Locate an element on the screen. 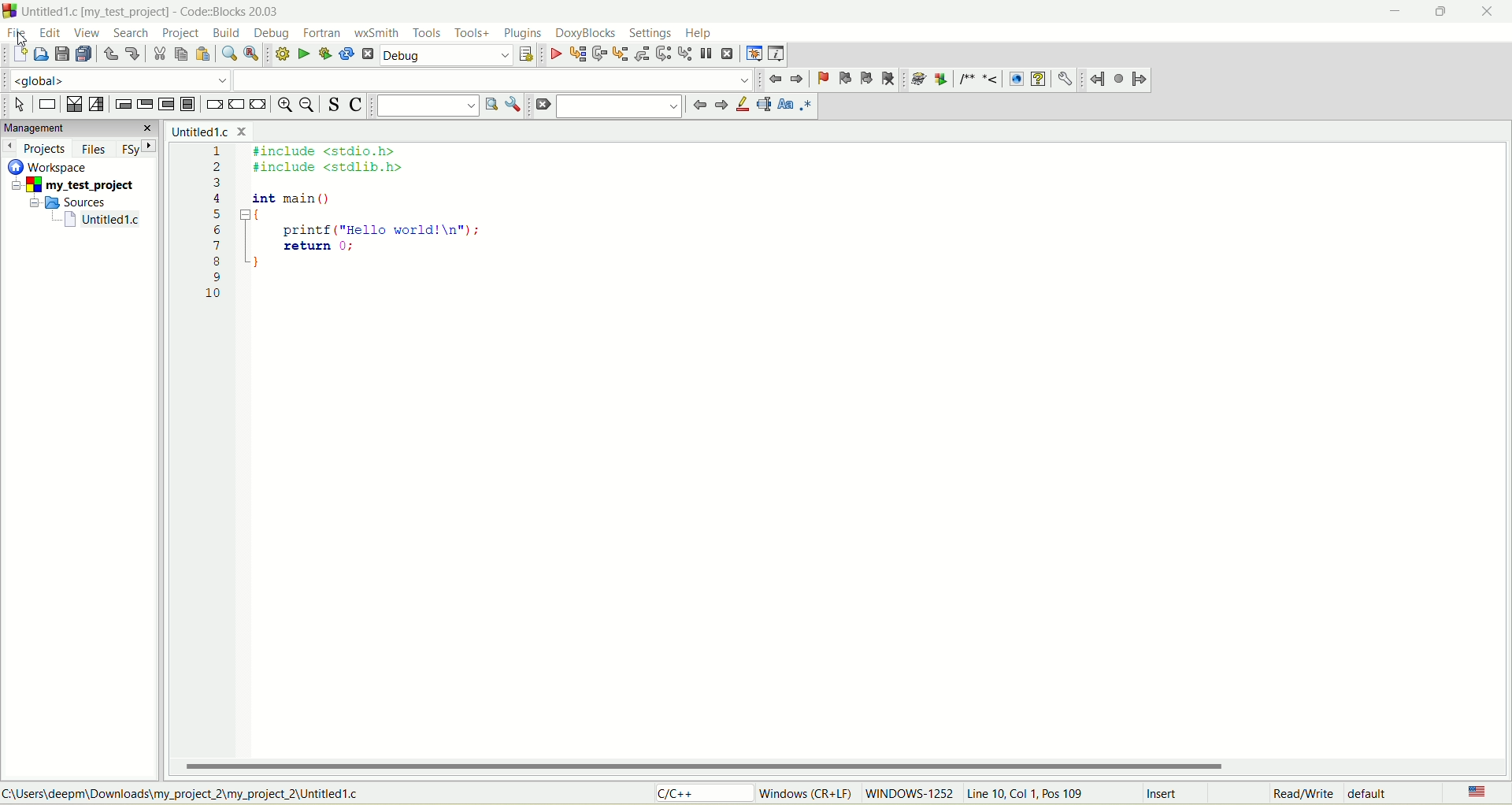 The height and width of the screenshot is (805, 1512). search is located at coordinates (126, 33).